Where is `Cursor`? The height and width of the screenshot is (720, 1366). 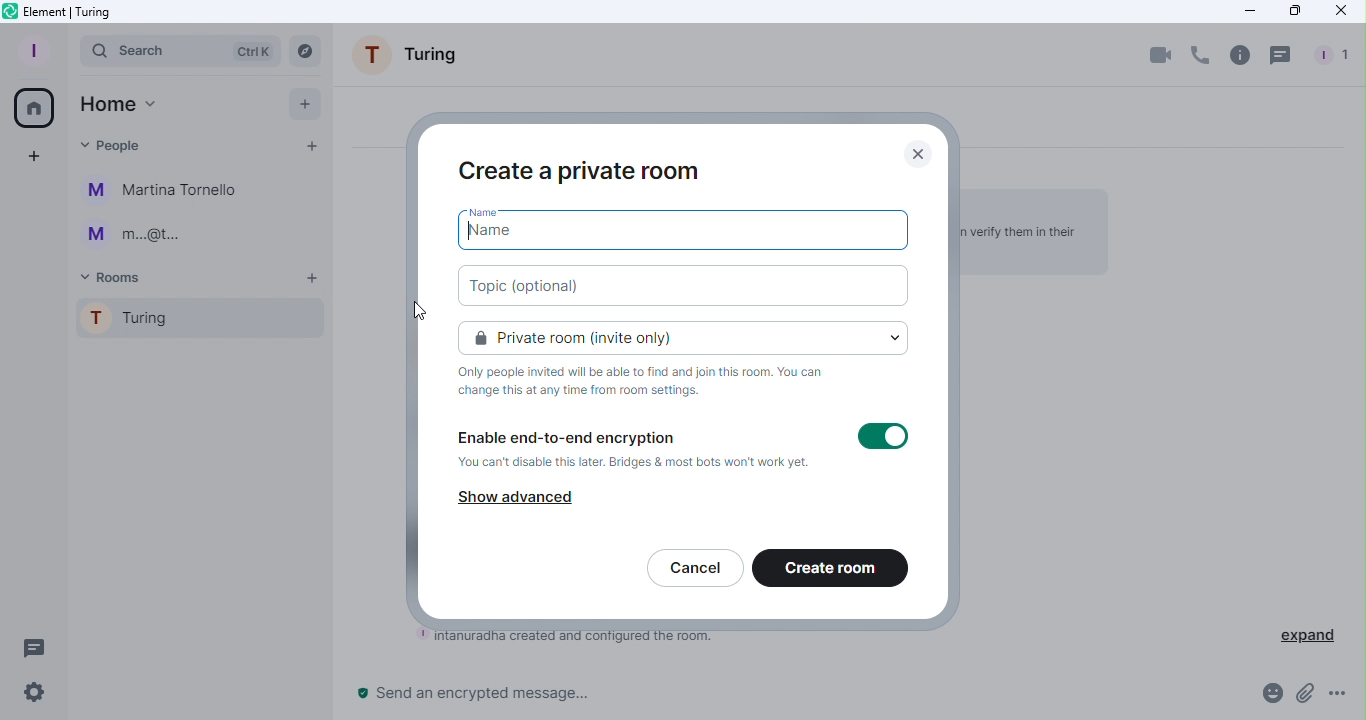
Cursor is located at coordinates (410, 309).